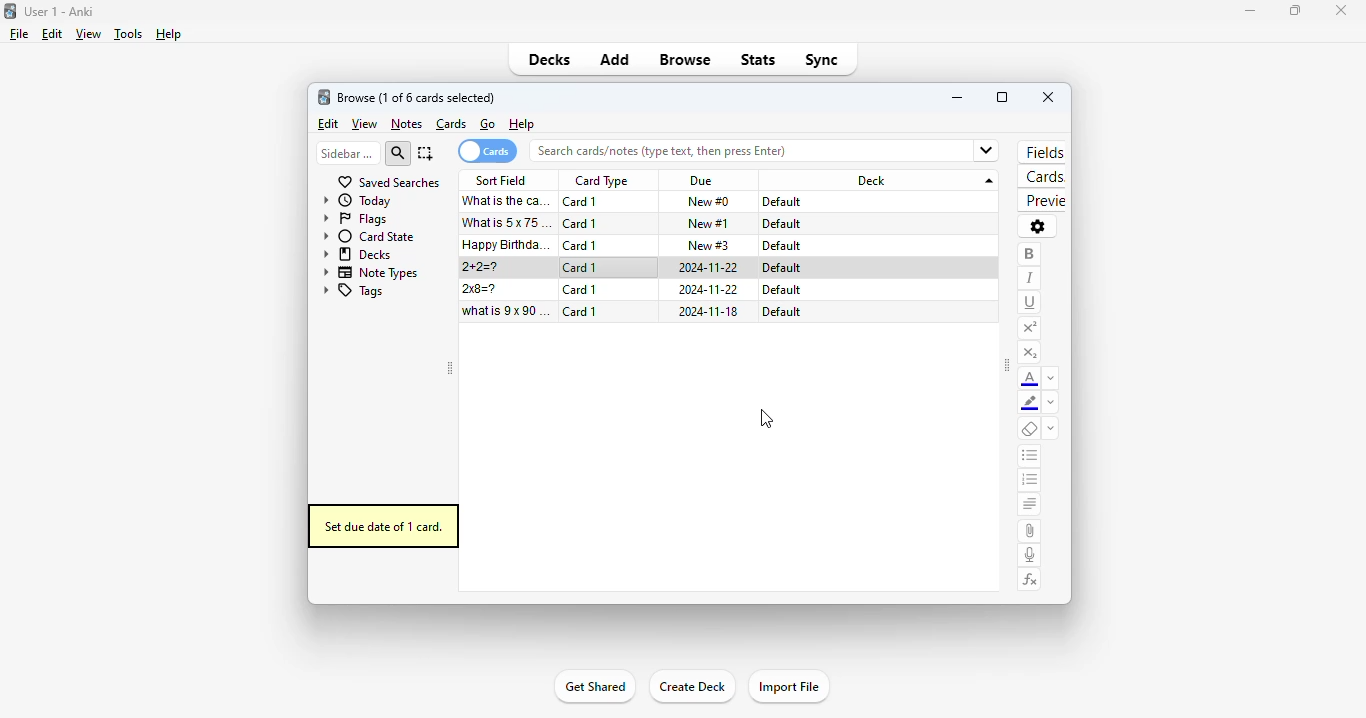 The height and width of the screenshot is (718, 1366). Describe the element at coordinates (59, 11) in the screenshot. I see `User 1 - Anki` at that location.